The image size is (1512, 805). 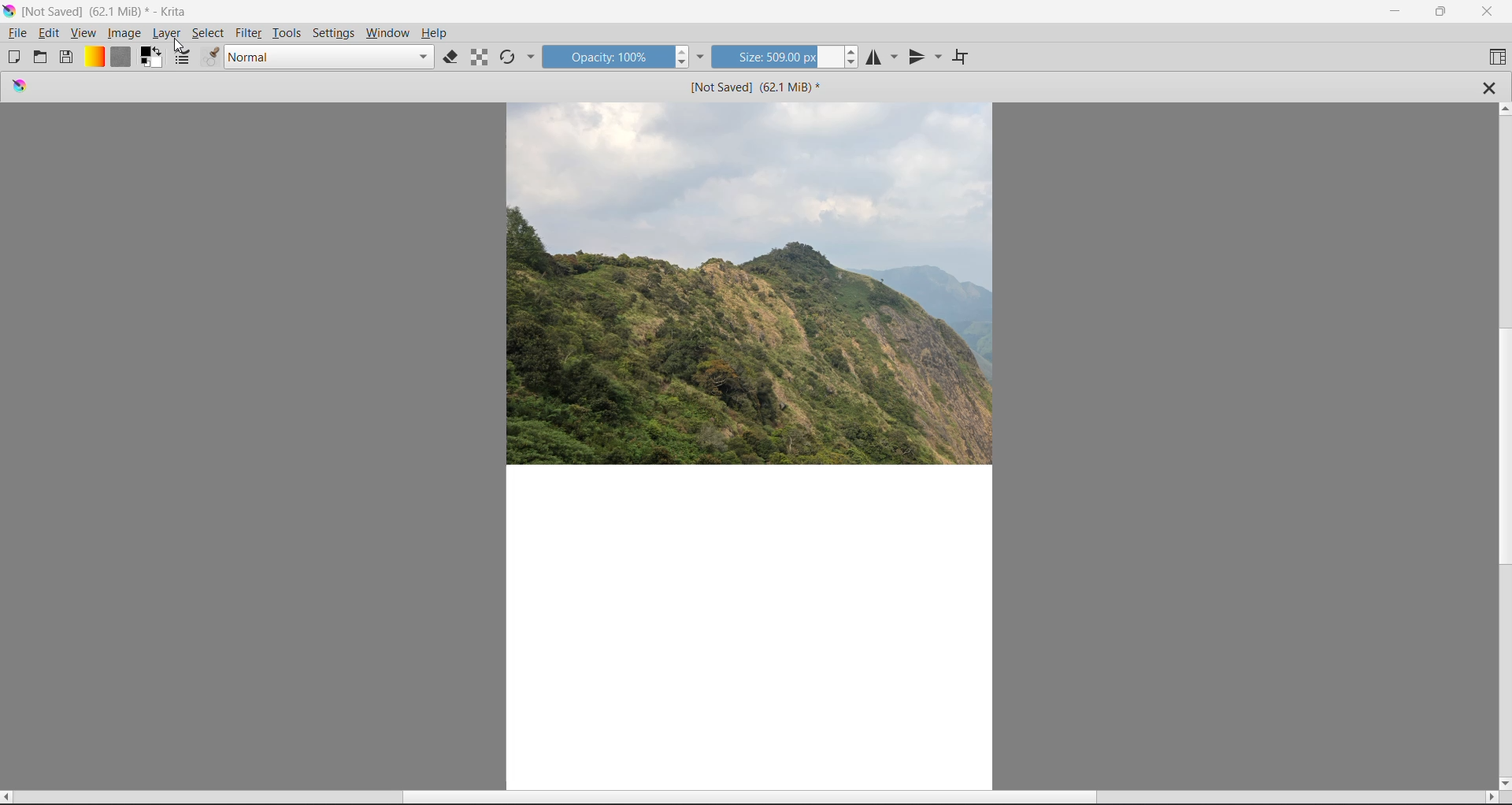 What do you see at coordinates (183, 58) in the screenshot?
I see `Edit brush settings` at bounding box center [183, 58].